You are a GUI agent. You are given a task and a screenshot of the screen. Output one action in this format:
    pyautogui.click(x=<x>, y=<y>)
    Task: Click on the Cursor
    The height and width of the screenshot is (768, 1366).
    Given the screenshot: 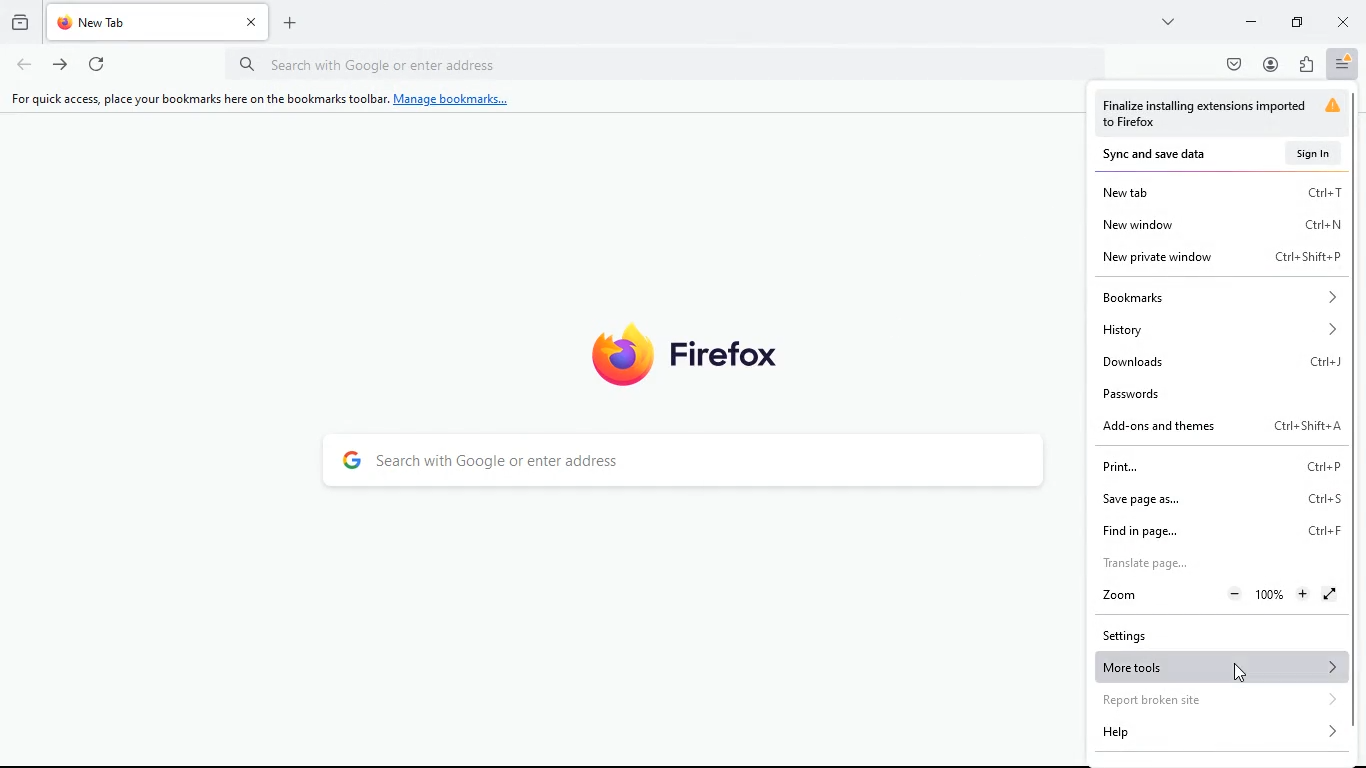 What is the action you would take?
    pyautogui.click(x=1239, y=672)
    